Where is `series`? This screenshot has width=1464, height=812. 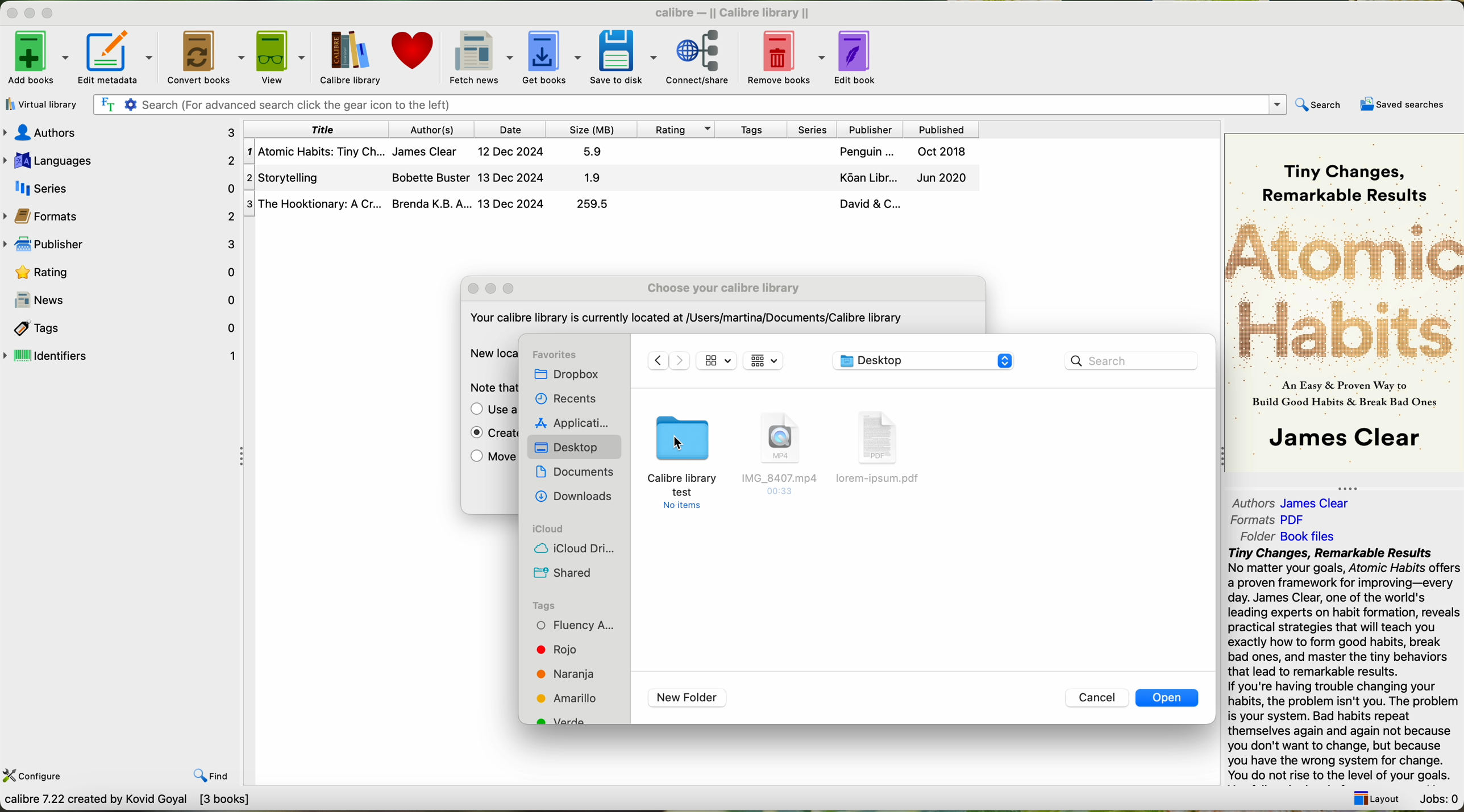 series is located at coordinates (809, 128).